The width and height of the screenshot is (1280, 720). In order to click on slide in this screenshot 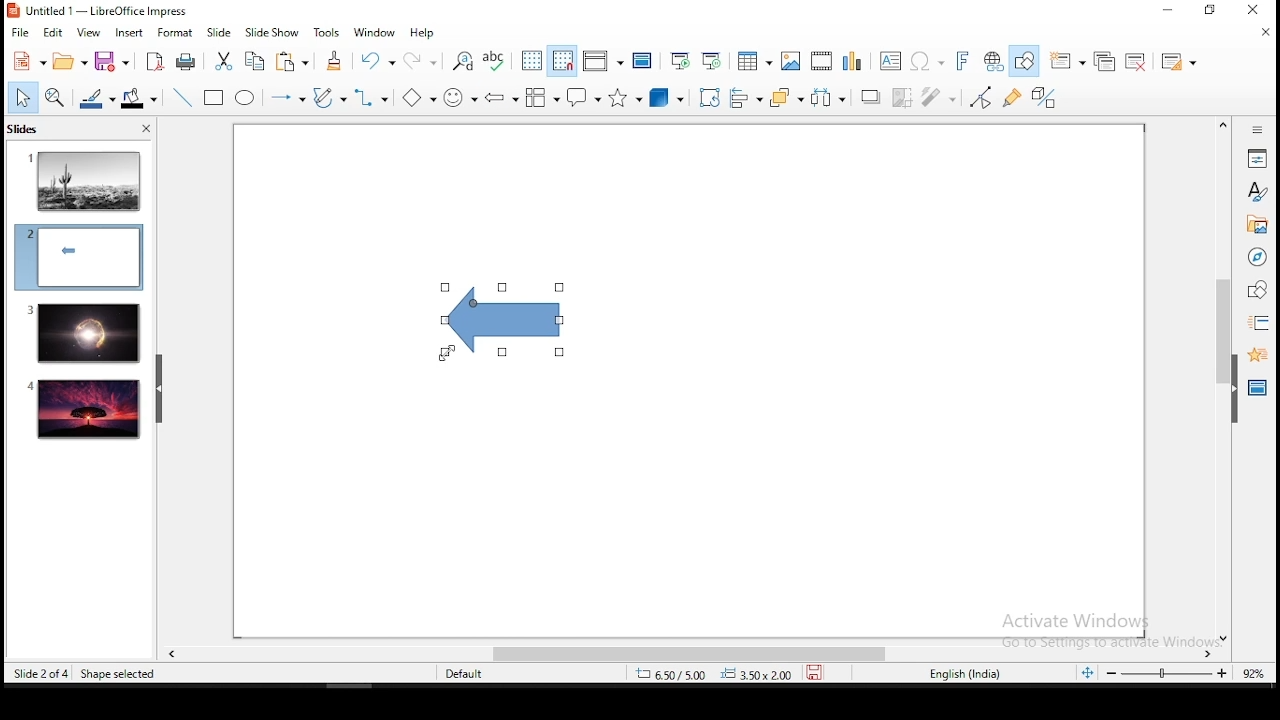, I will do `click(219, 33)`.